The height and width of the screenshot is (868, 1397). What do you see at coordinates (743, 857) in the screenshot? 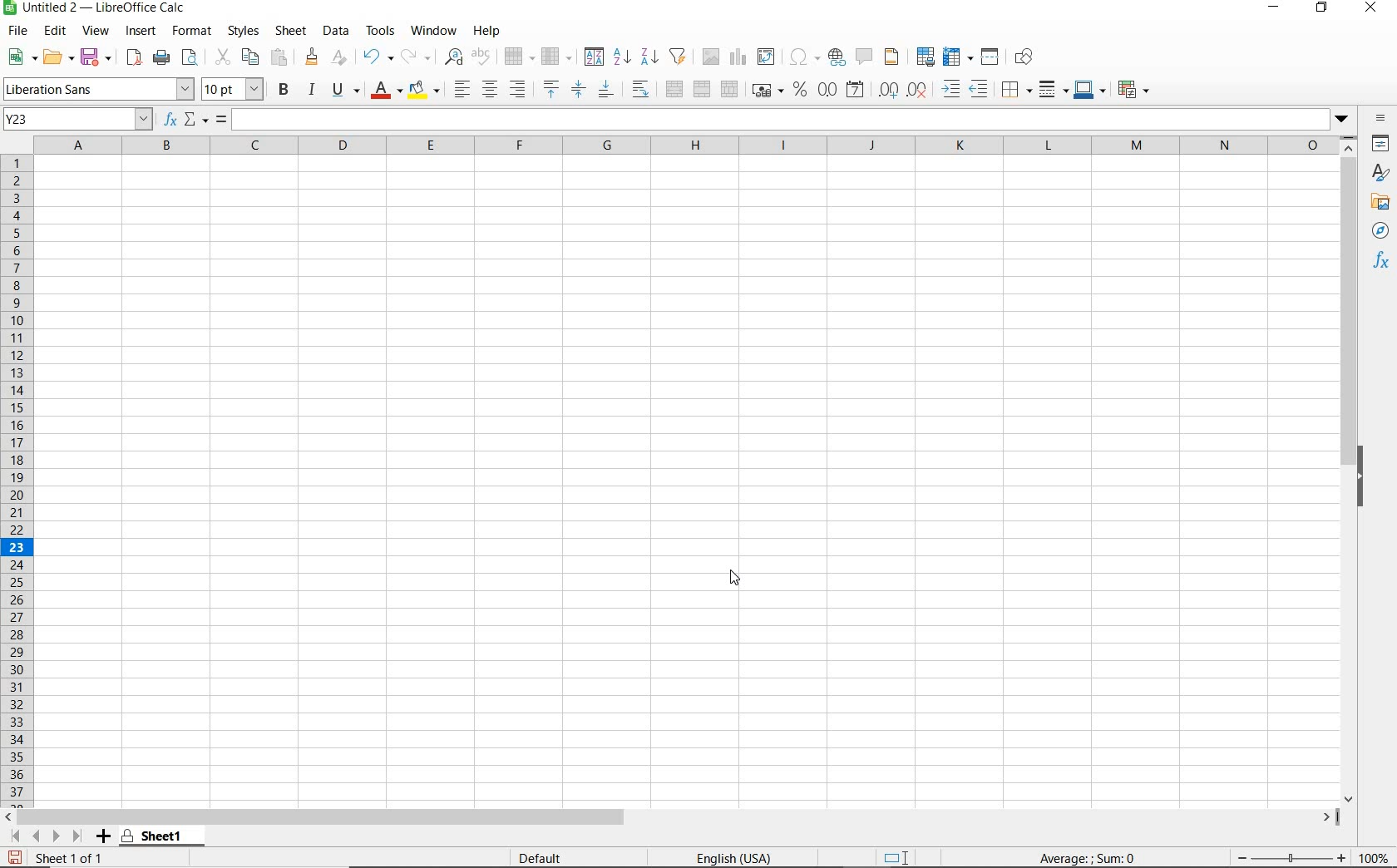
I see `english (USA)` at bounding box center [743, 857].